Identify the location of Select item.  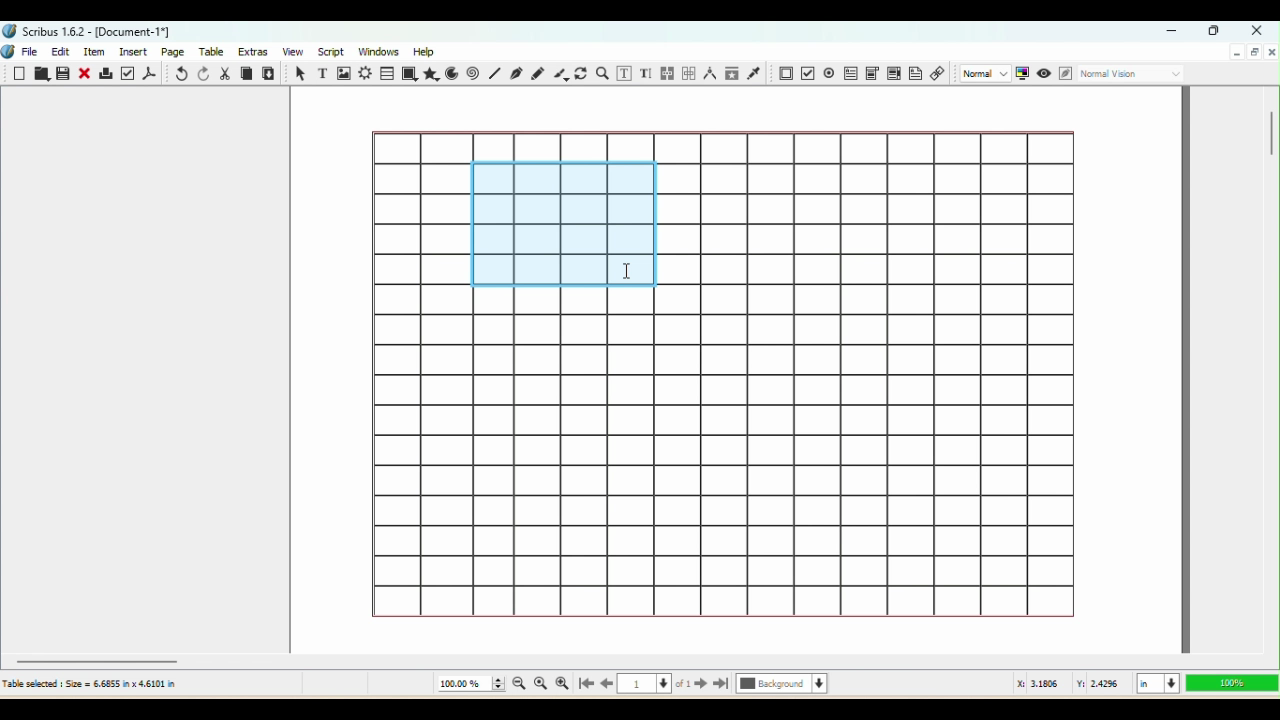
(298, 73).